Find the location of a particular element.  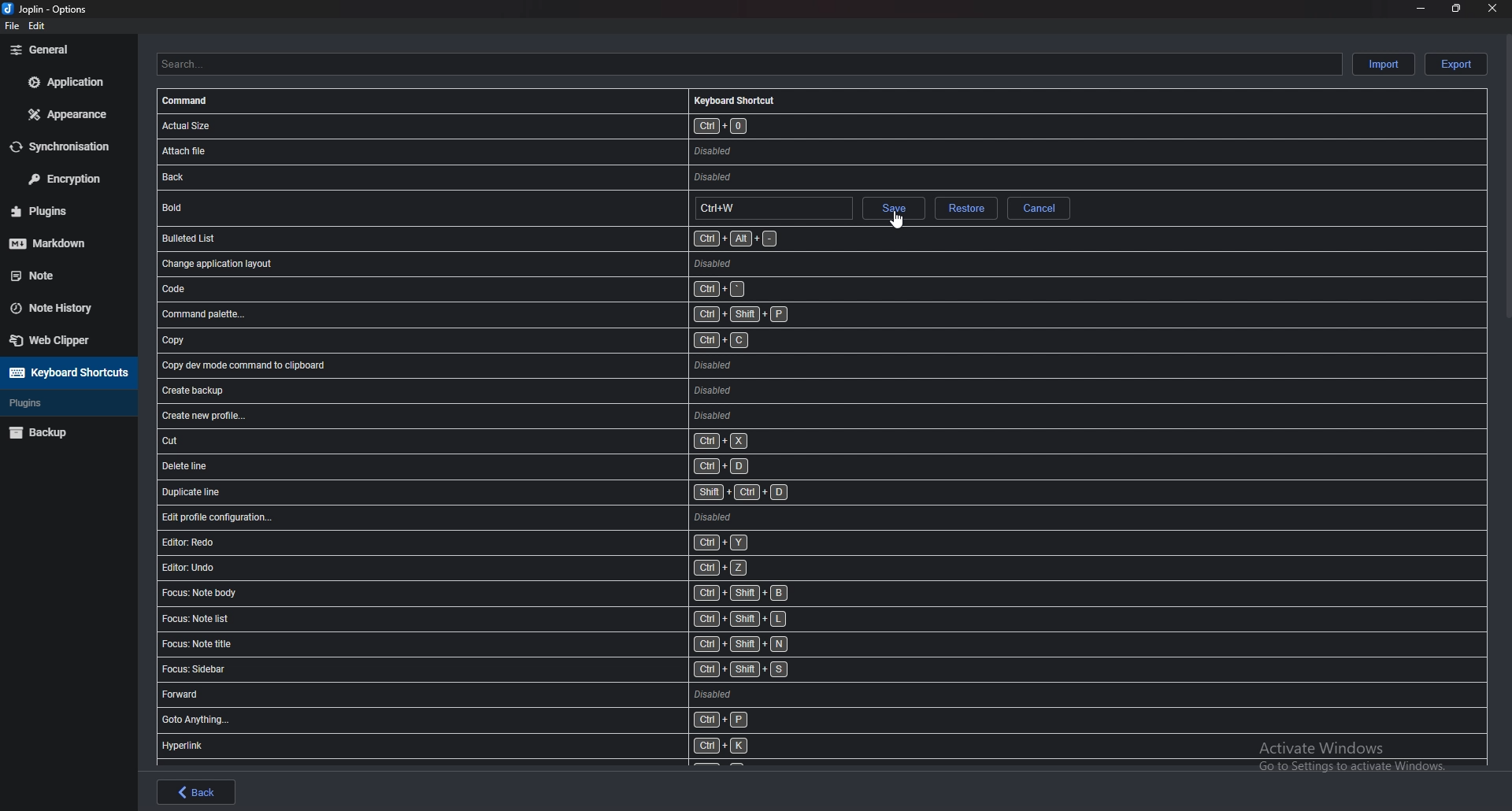

shortcut is located at coordinates (523, 746).